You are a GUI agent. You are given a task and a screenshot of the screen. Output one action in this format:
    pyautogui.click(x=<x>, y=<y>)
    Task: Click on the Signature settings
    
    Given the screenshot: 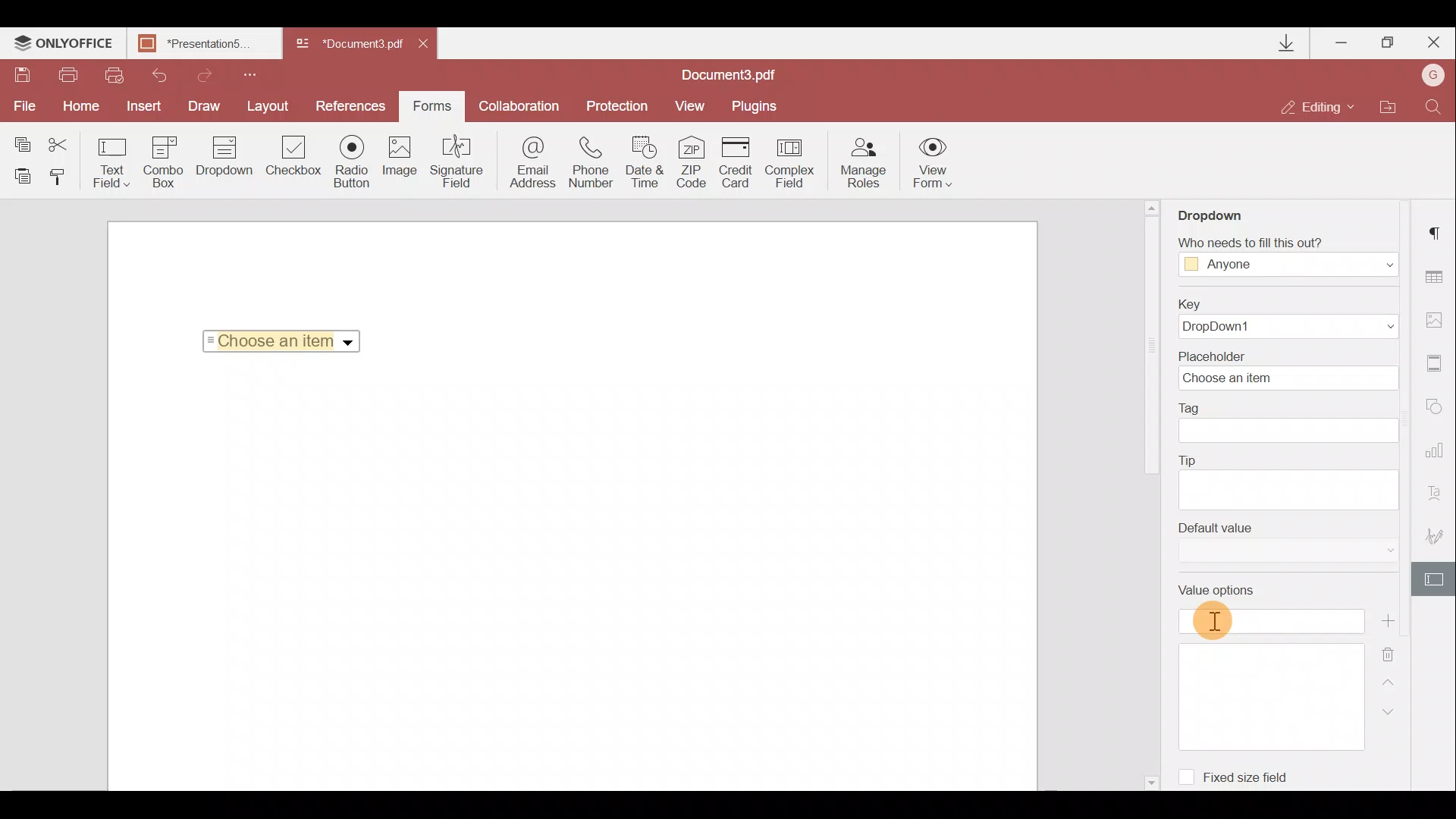 What is the action you would take?
    pyautogui.click(x=1438, y=540)
    